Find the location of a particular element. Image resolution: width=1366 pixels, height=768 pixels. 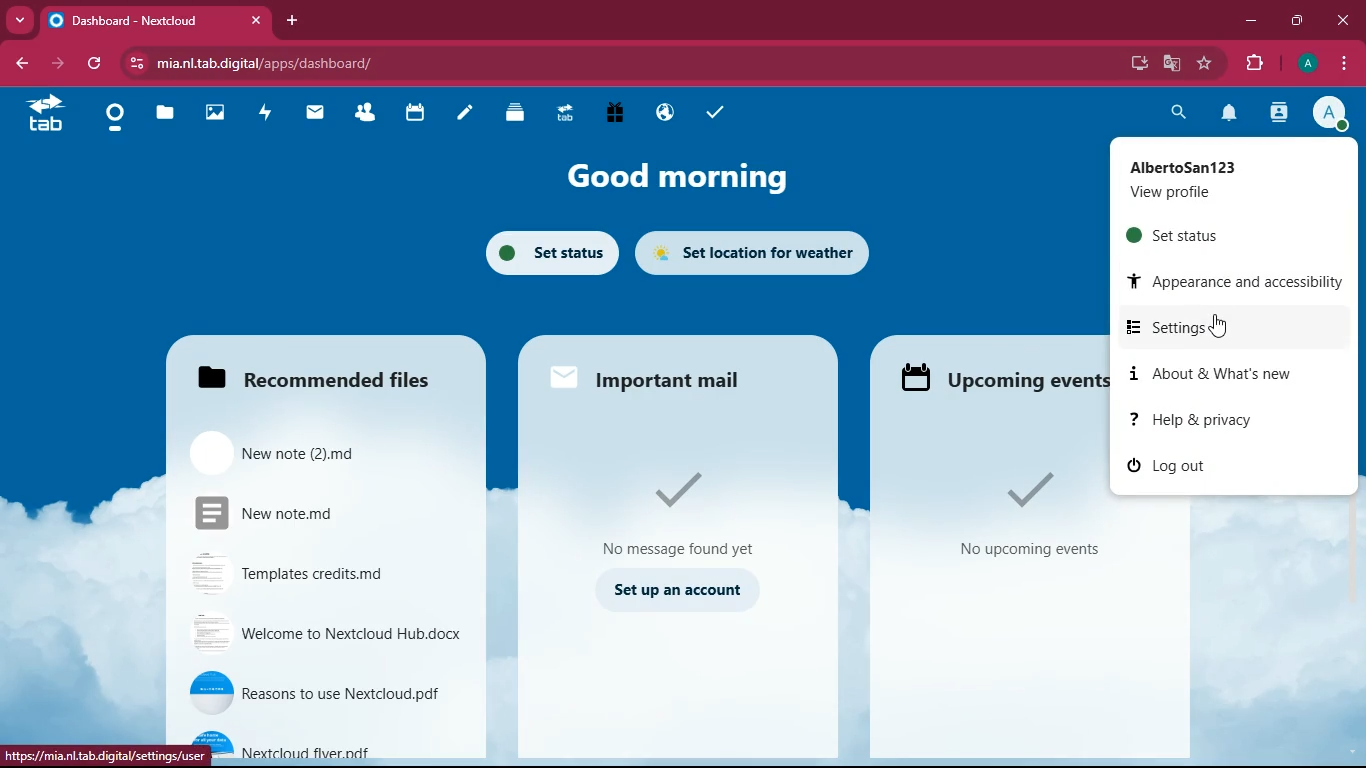

reasons to use nextcloud.pdf is located at coordinates (322, 690).